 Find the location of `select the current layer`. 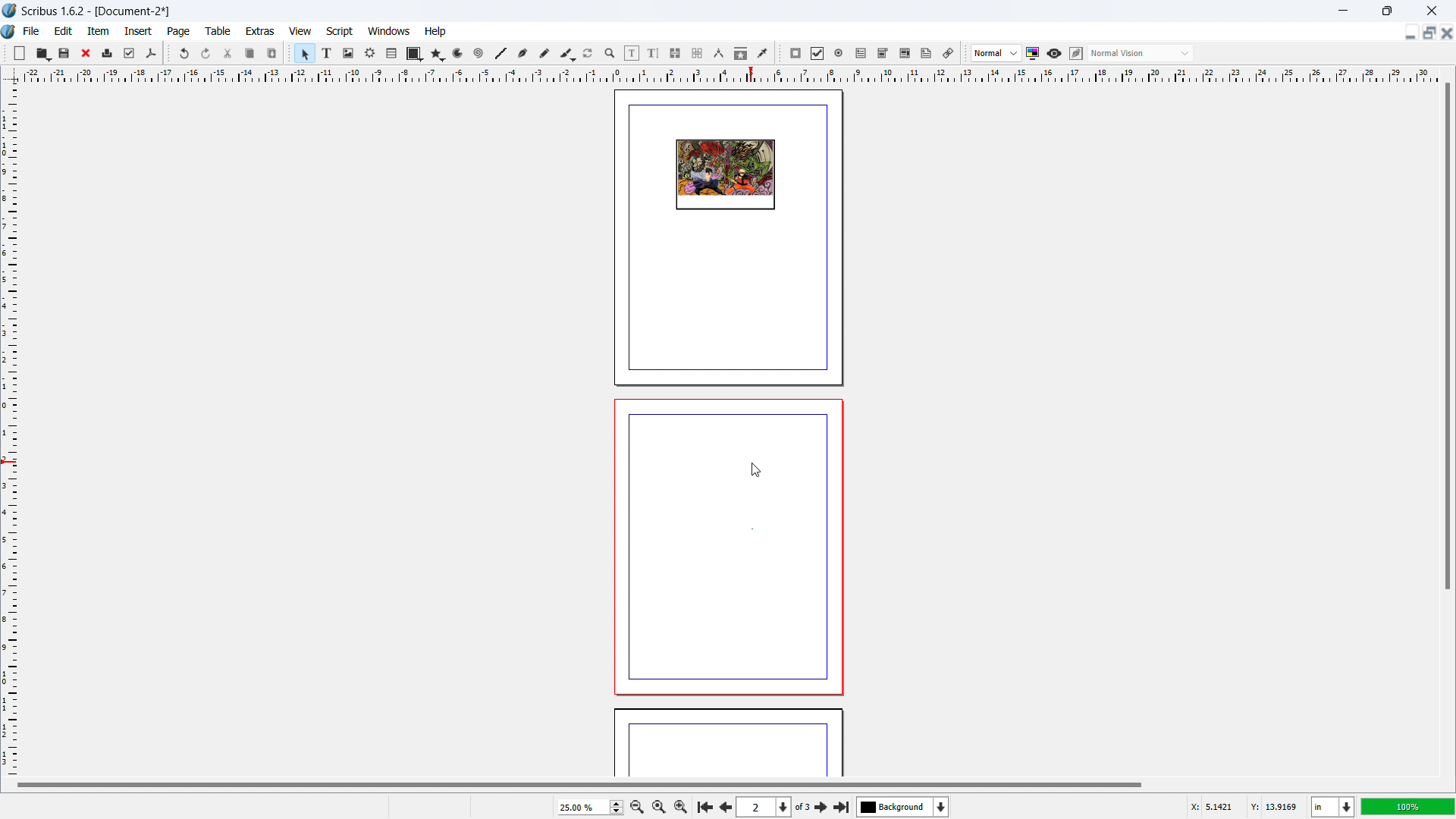

select the current layer is located at coordinates (903, 807).